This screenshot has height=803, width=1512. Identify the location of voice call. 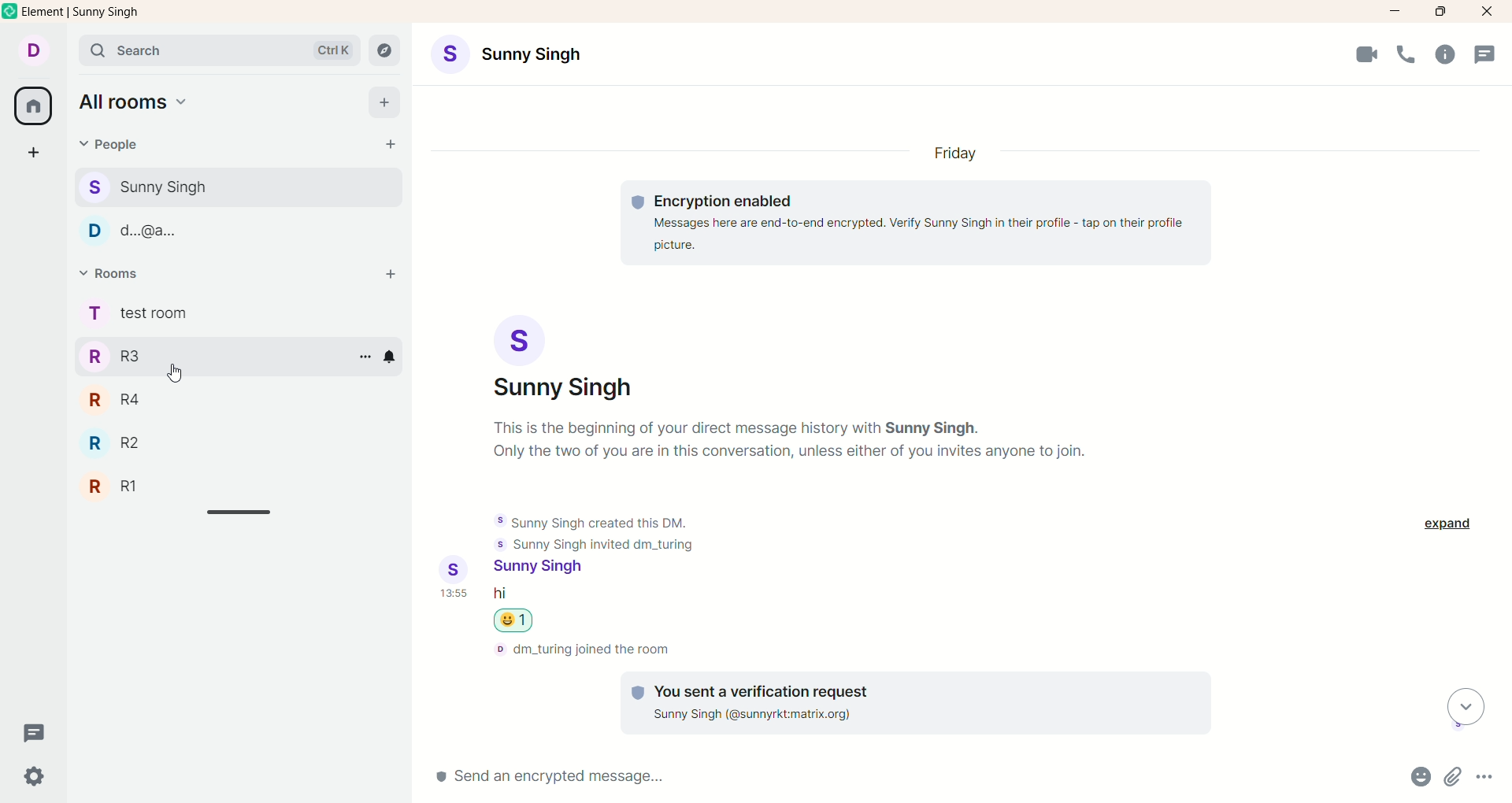
(1410, 56).